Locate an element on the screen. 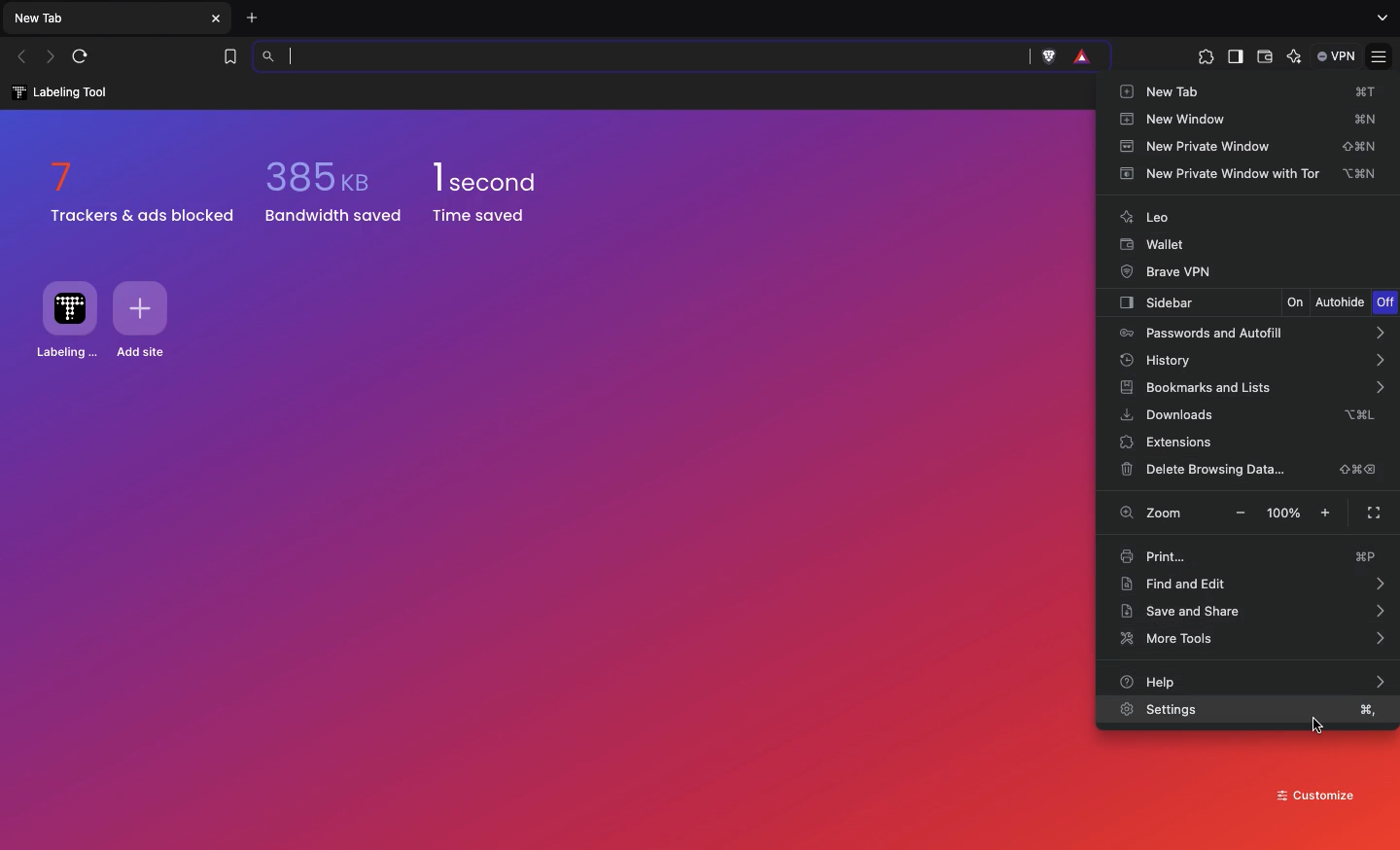  New window is located at coordinates (1251, 122).